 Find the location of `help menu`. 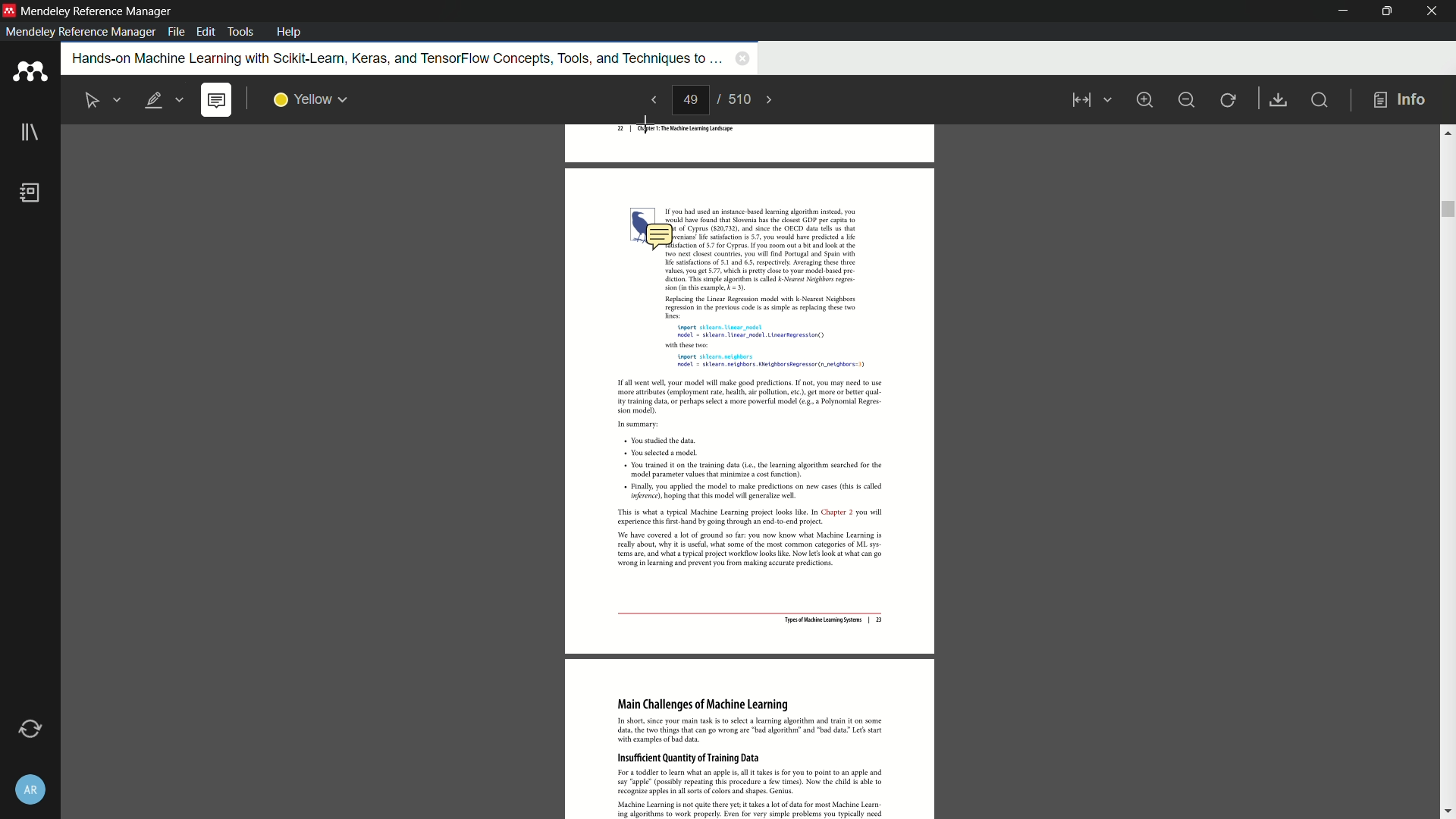

help menu is located at coordinates (290, 32).